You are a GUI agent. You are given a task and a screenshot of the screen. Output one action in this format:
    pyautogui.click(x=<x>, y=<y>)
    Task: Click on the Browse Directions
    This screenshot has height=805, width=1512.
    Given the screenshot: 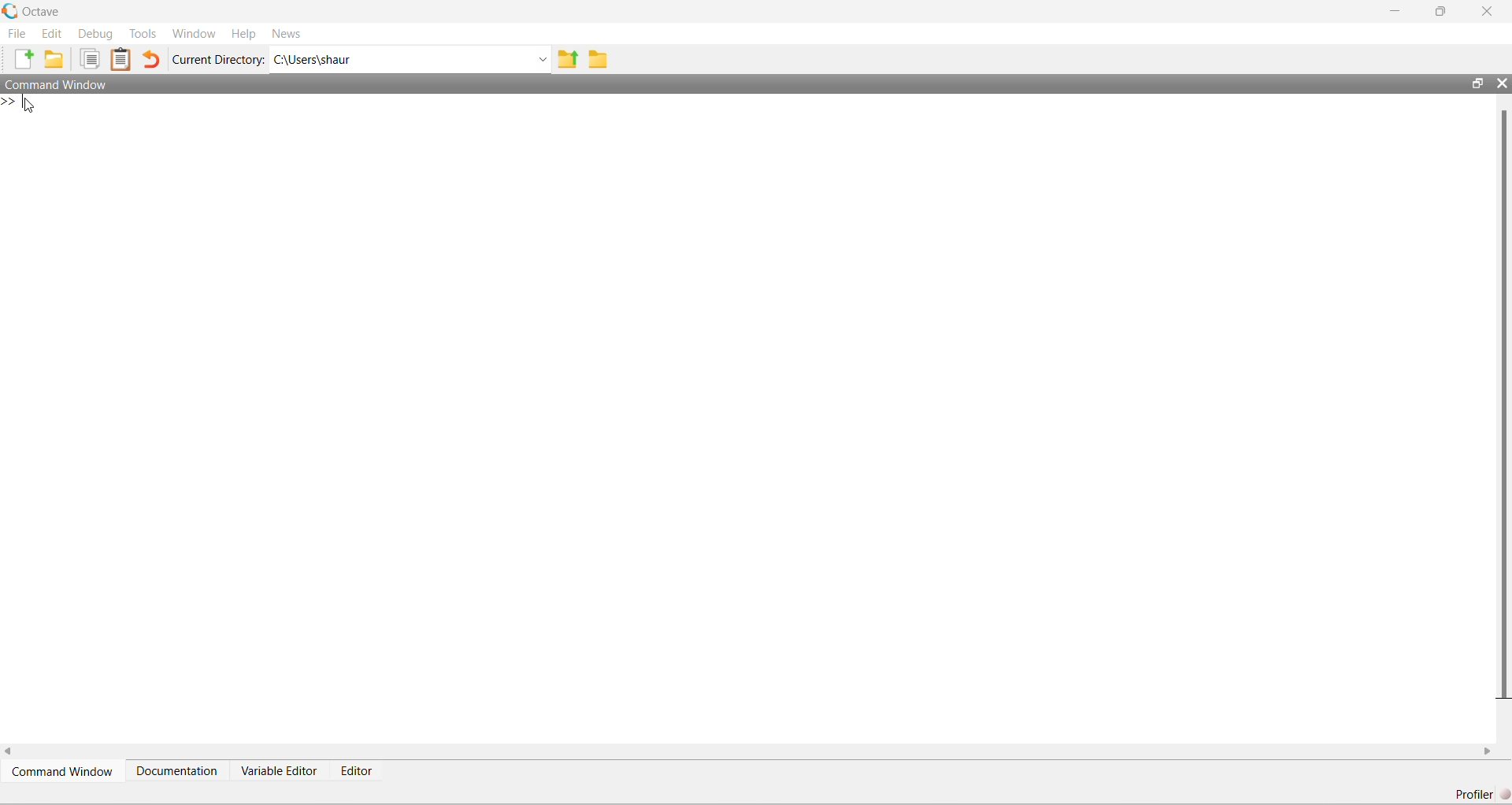 What is the action you would take?
    pyautogui.click(x=598, y=59)
    